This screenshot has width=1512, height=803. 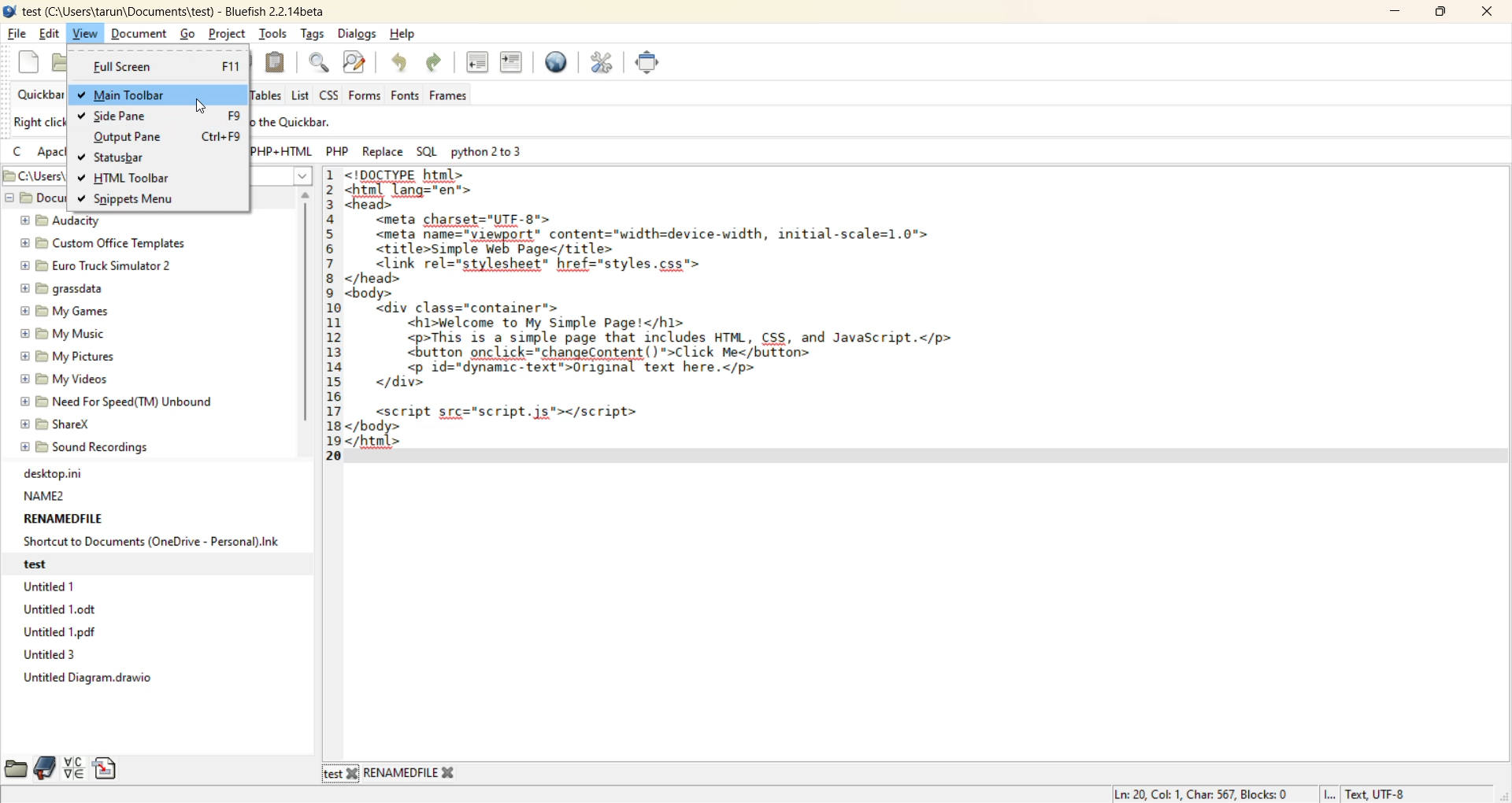 What do you see at coordinates (50, 587) in the screenshot?
I see `Untitled 1` at bounding box center [50, 587].